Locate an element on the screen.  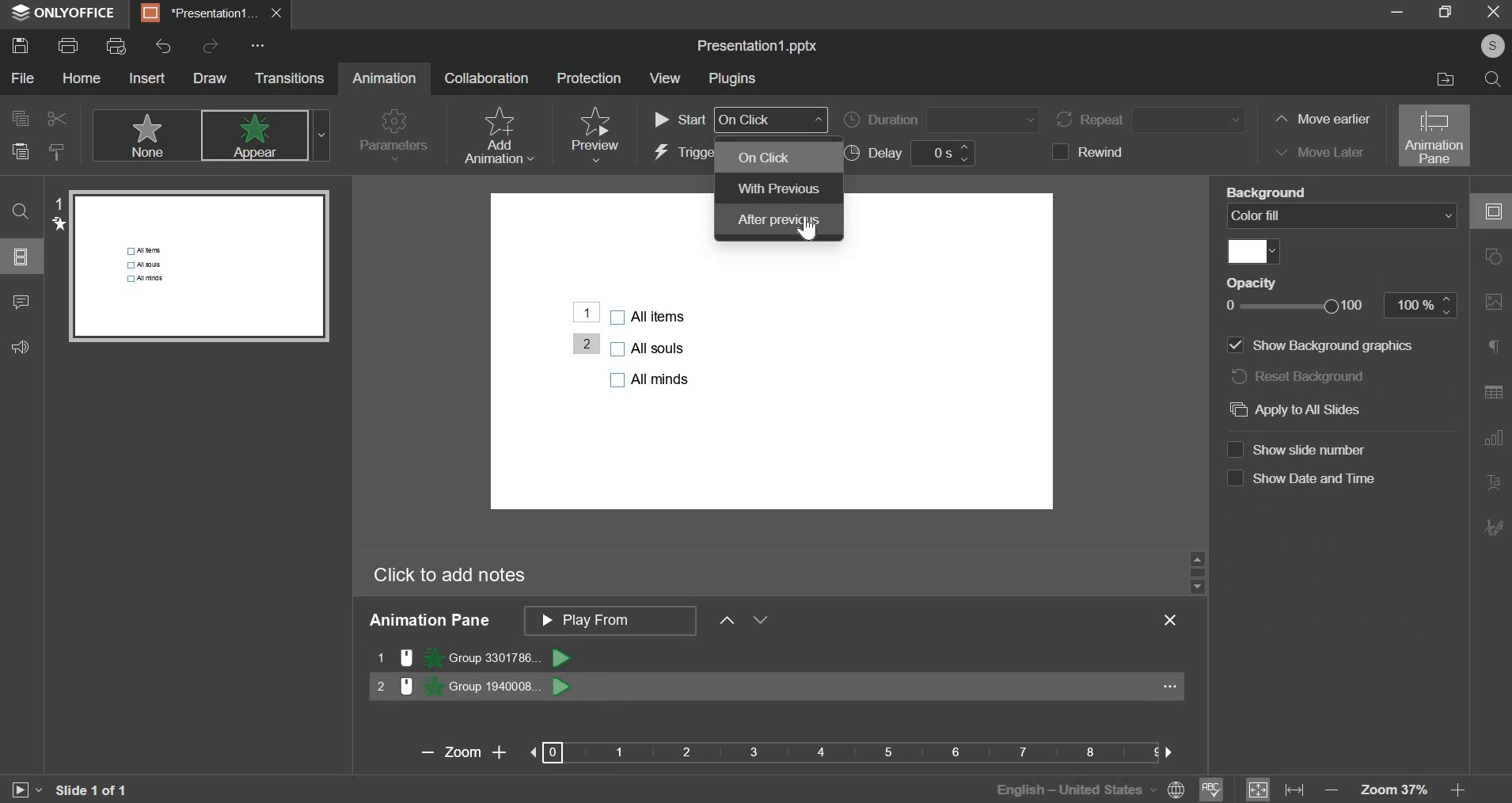
zoom is located at coordinates (1406, 790).